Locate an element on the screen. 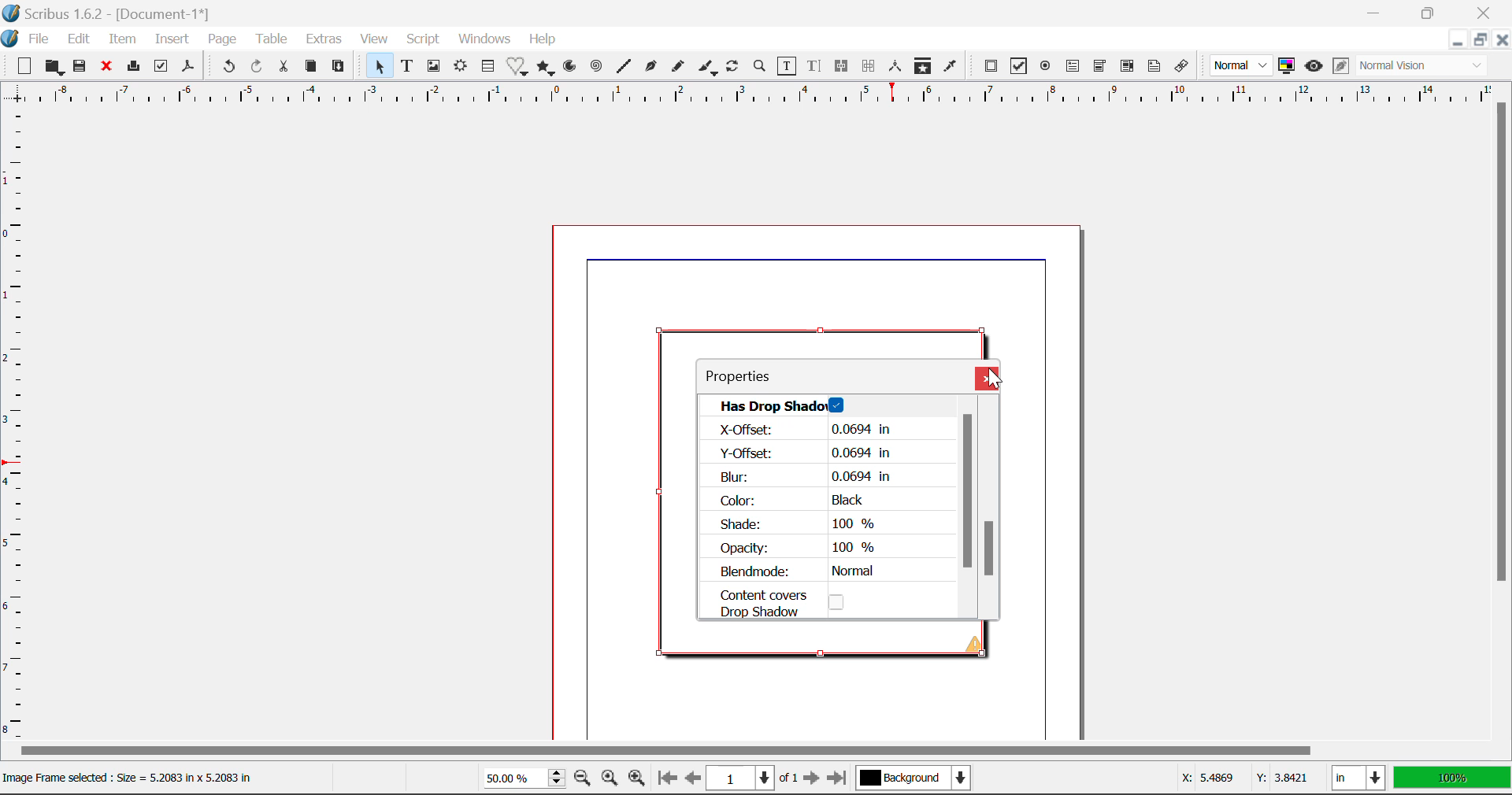 The height and width of the screenshot is (795, 1512). Link Text Frames is located at coordinates (842, 68).